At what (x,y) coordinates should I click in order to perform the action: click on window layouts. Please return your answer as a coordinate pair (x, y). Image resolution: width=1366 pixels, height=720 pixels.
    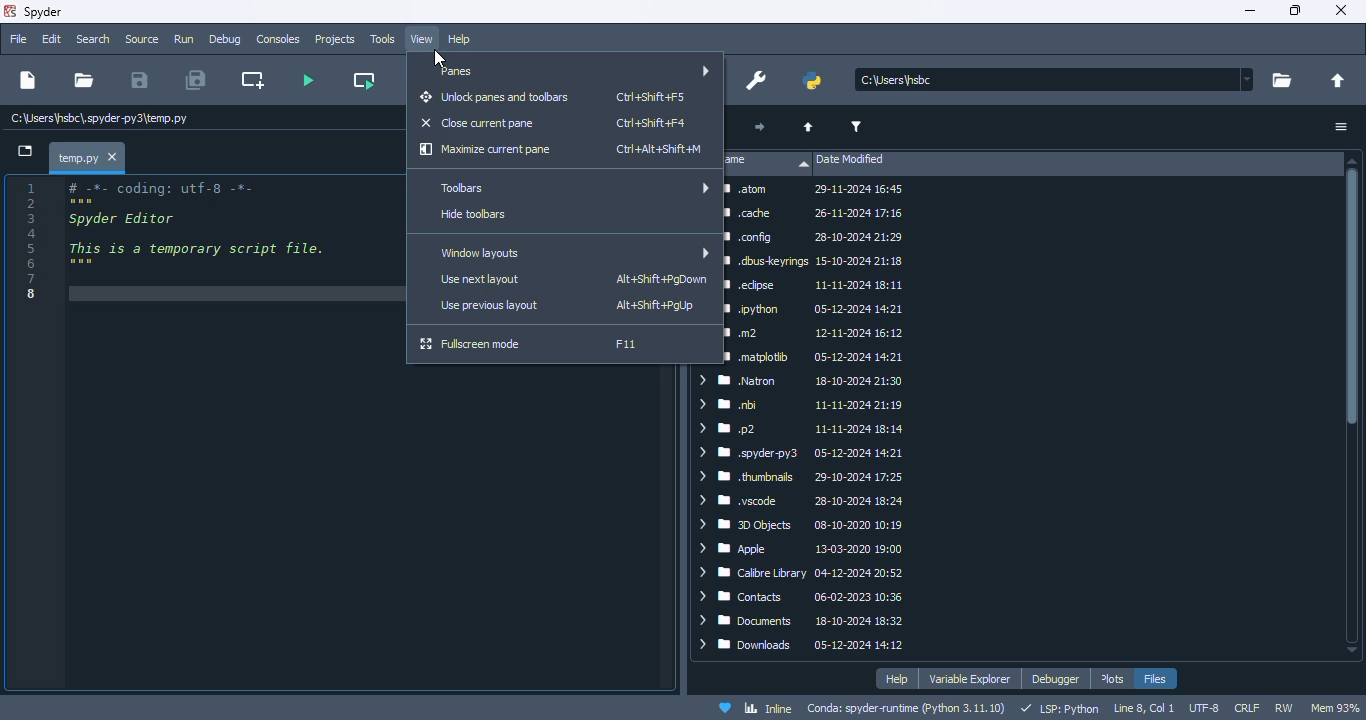
    Looking at the image, I should click on (573, 251).